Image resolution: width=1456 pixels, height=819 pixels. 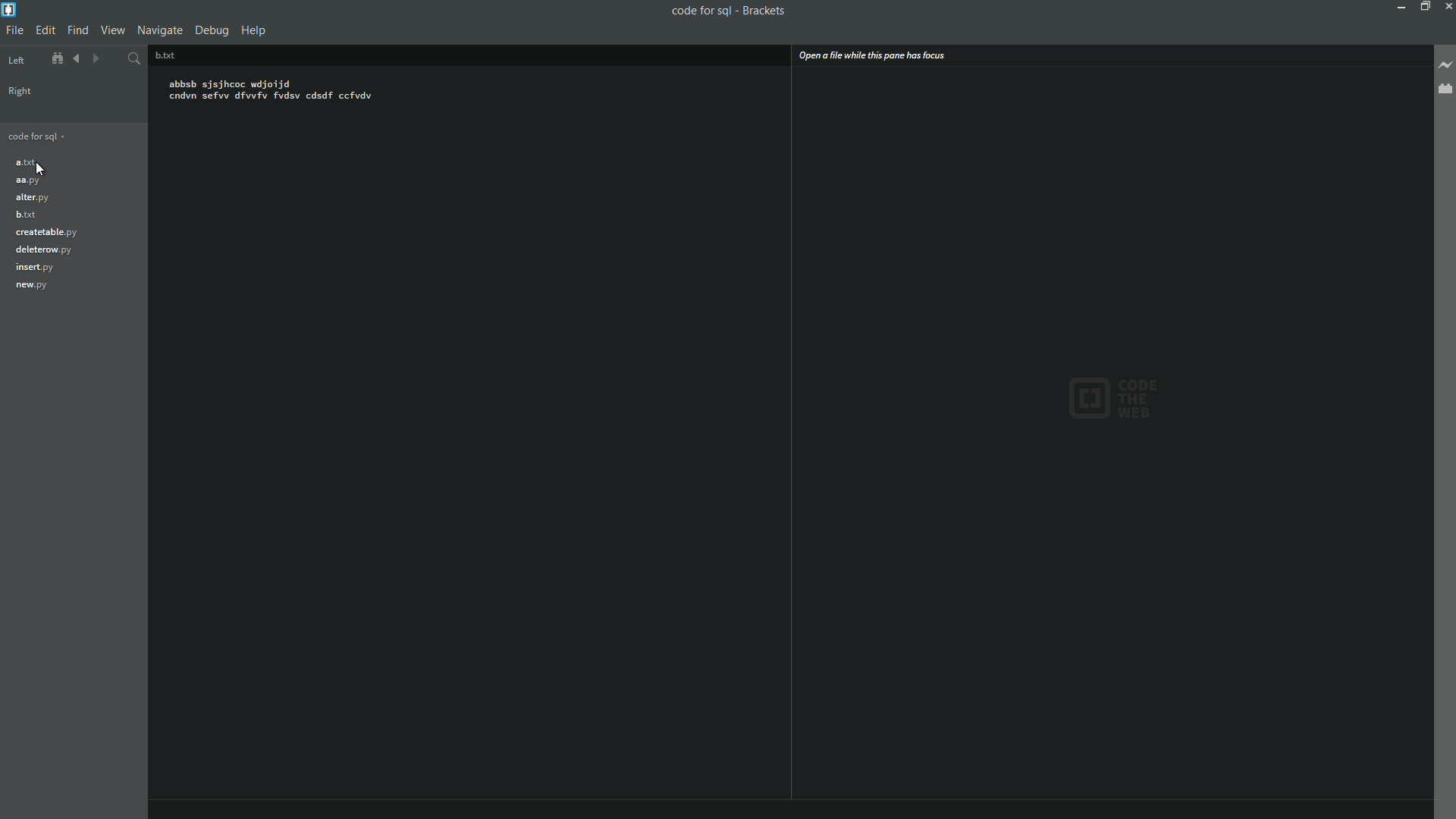 What do you see at coordinates (46, 234) in the screenshot?
I see `creatable.py` at bounding box center [46, 234].